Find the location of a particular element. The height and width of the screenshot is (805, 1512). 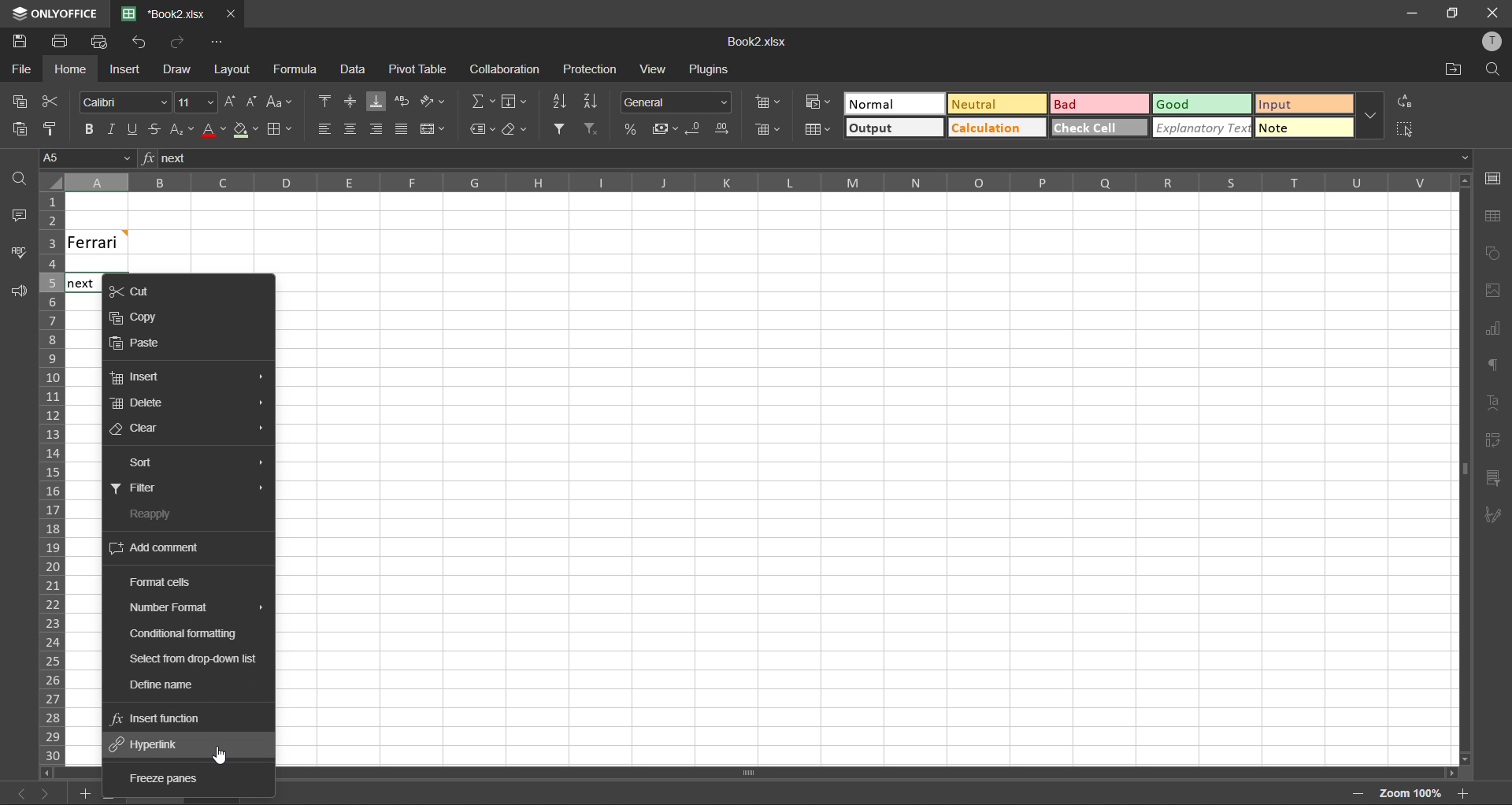

paragraph is located at coordinates (1494, 367).